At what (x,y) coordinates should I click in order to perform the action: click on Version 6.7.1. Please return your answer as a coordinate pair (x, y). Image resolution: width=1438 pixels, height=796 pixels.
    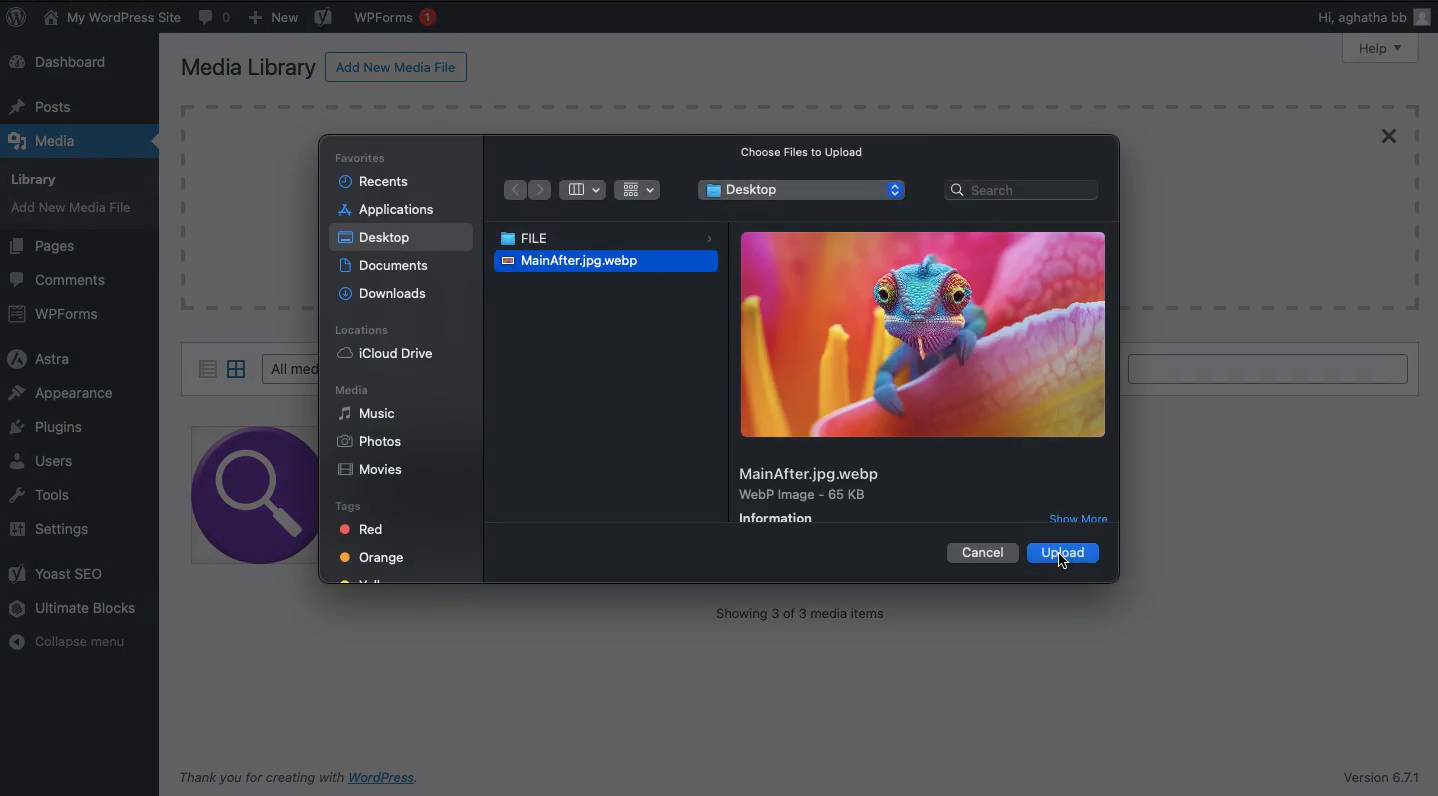
    Looking at the image, I should click on (1380, 778).